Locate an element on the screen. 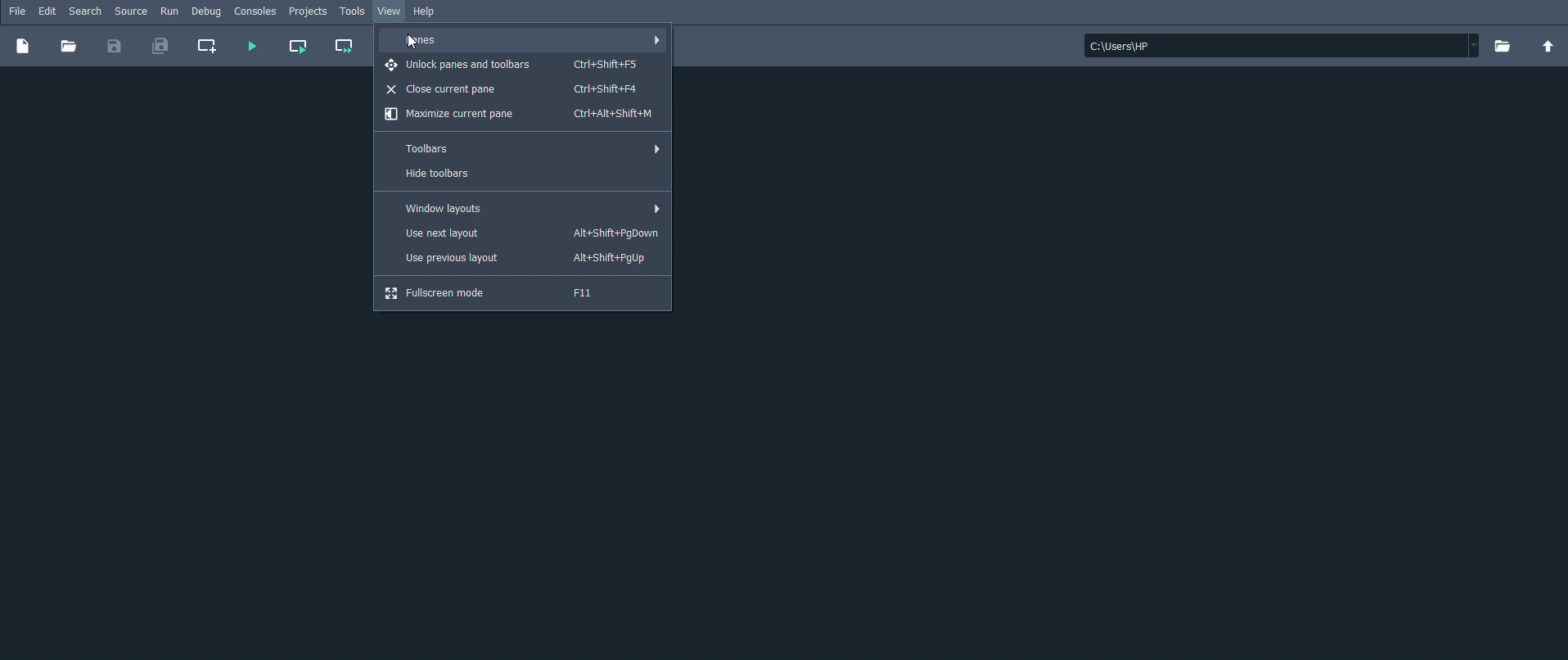  Hide toolbars is located at coordinates (525, 174).